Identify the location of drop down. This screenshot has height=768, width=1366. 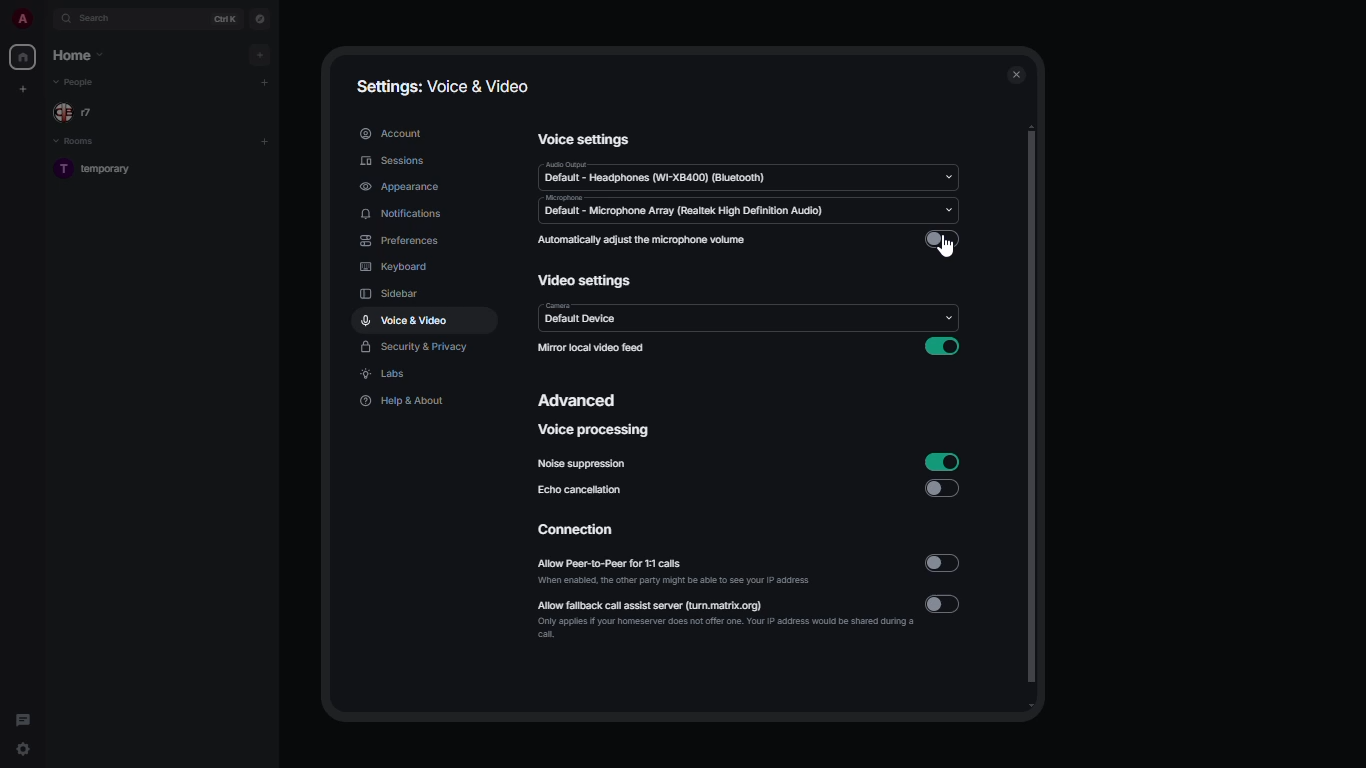
(950, 319).